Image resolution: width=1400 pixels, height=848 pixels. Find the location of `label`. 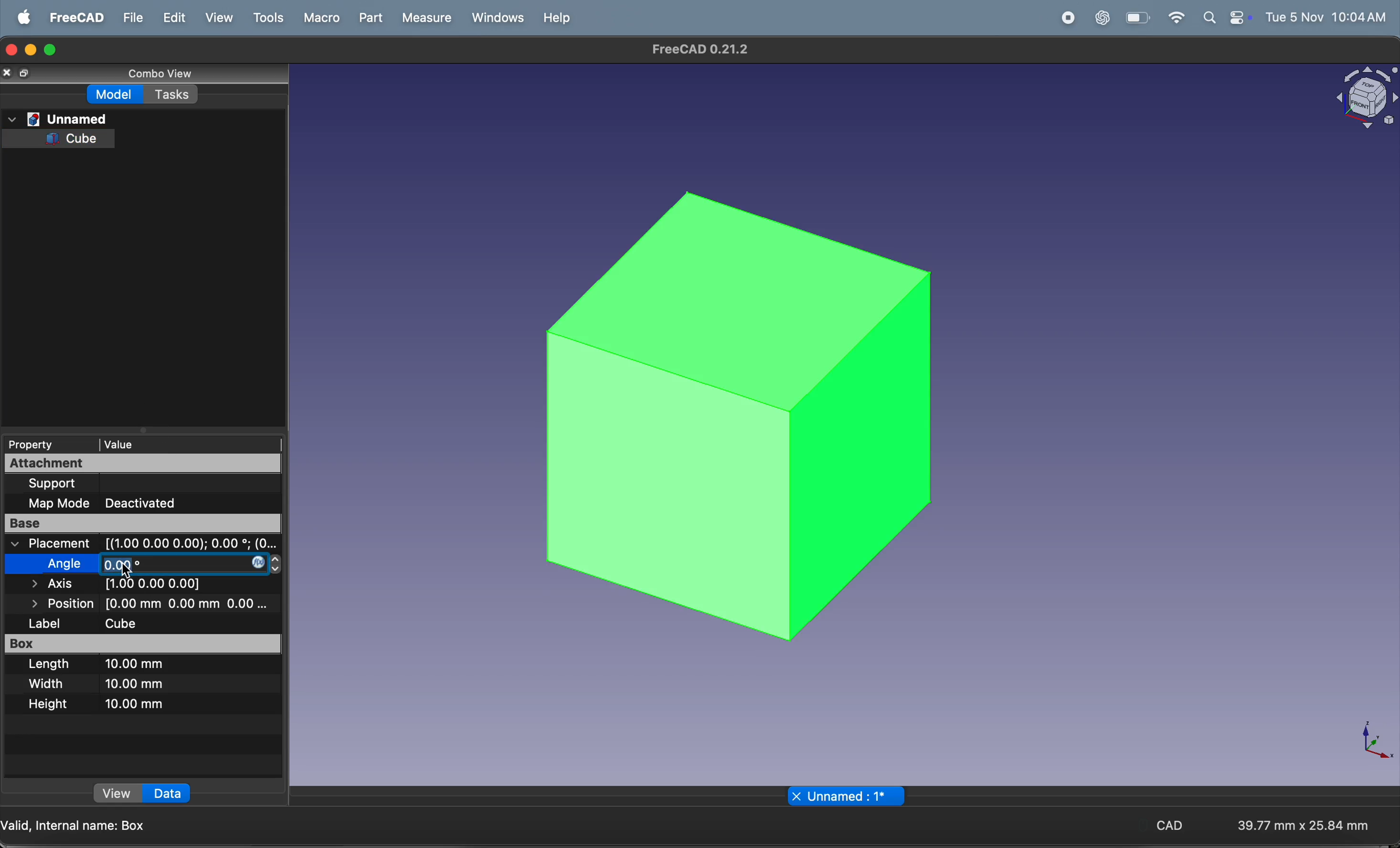

label is located at coordinates (53, 623).